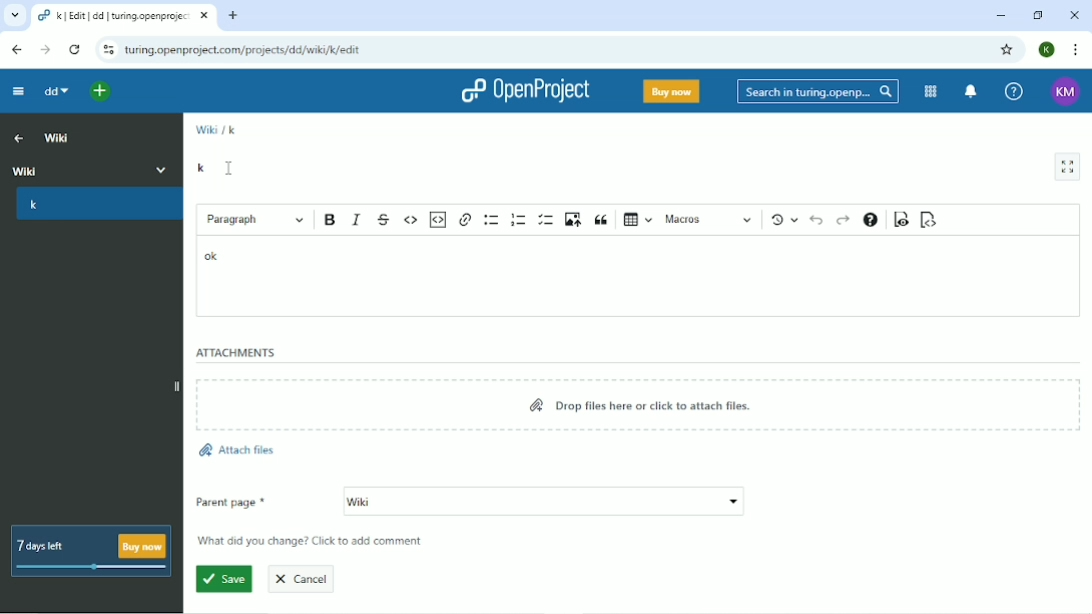 This screenshot has width=1092, height=614. Describe the element at coordinates (1013, 91) in the screenshot. I see `Help` at that location.